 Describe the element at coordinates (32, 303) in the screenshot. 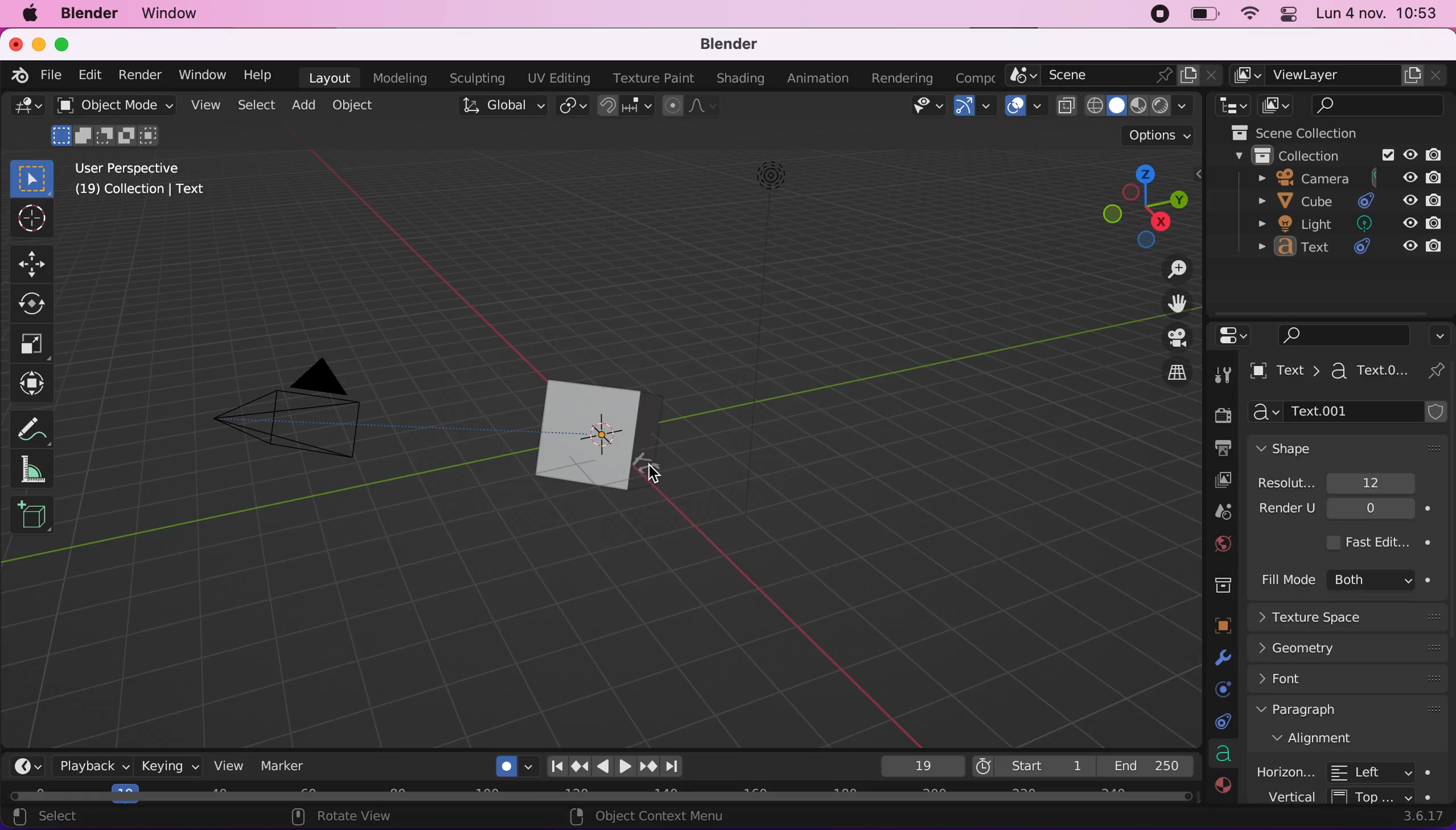

I see `rotate` at that location.